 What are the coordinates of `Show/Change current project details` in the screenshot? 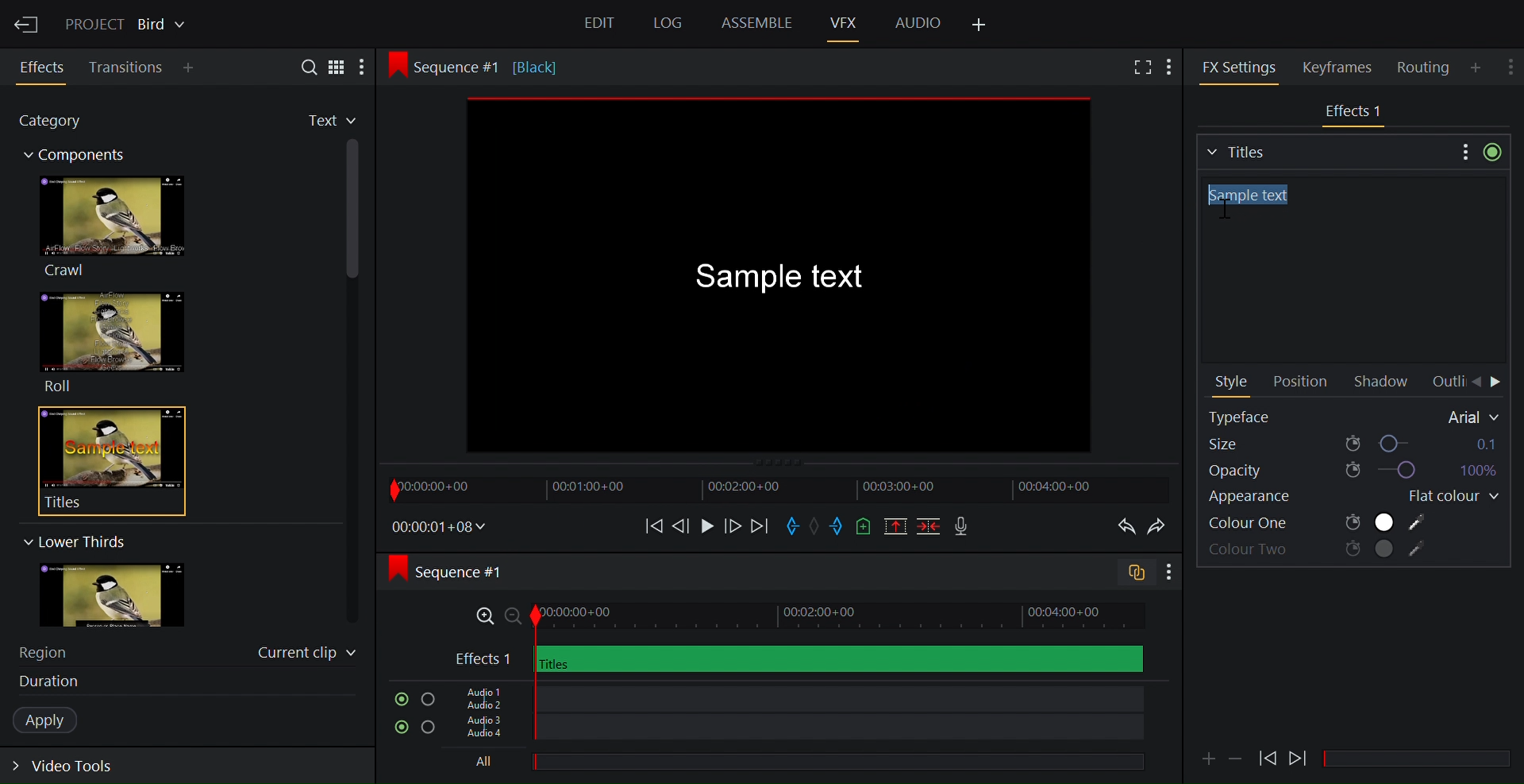 It's located at (128, 22).